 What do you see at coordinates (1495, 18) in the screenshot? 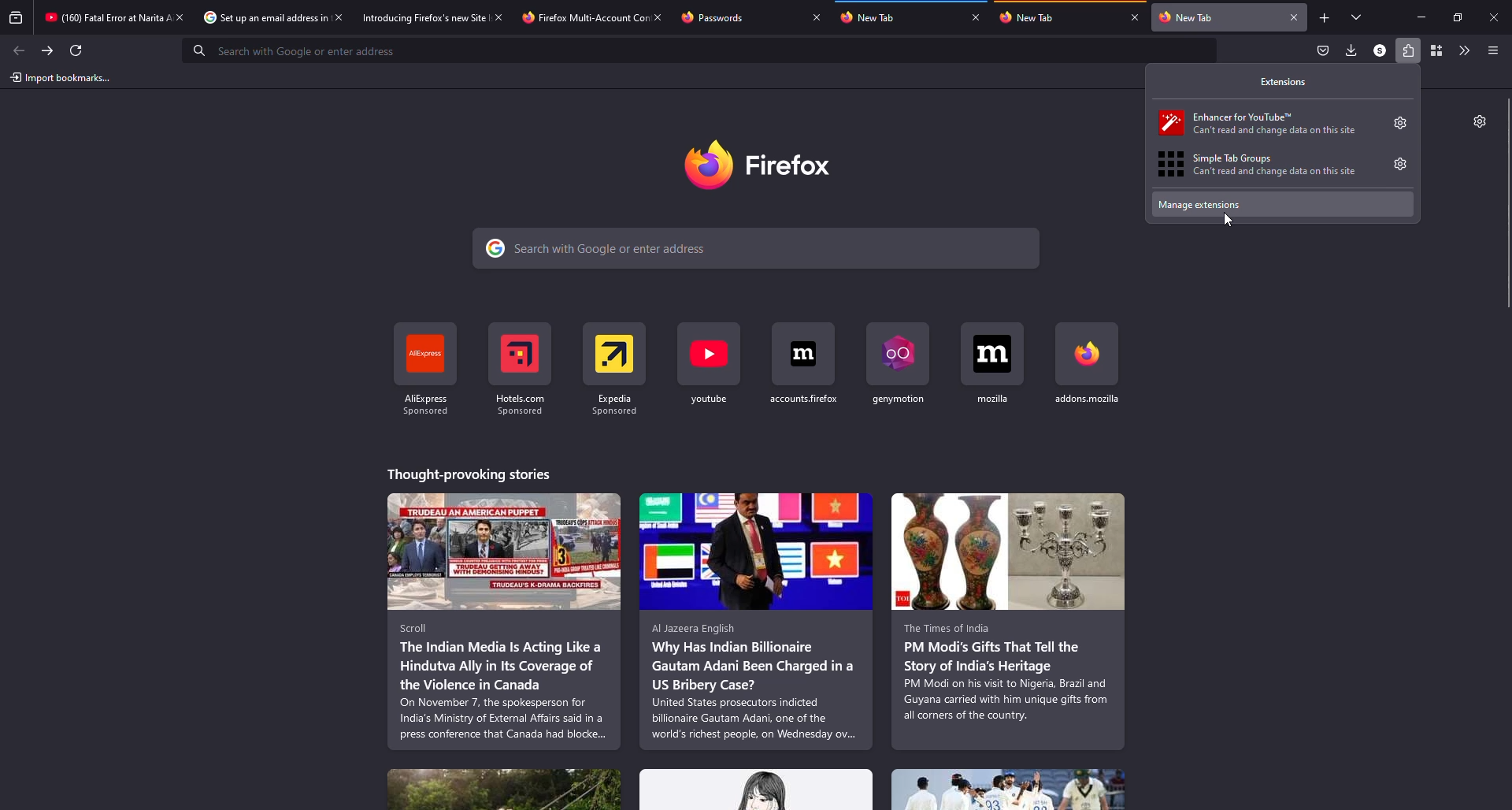
I see `close` at bounding box center [1495, 18].